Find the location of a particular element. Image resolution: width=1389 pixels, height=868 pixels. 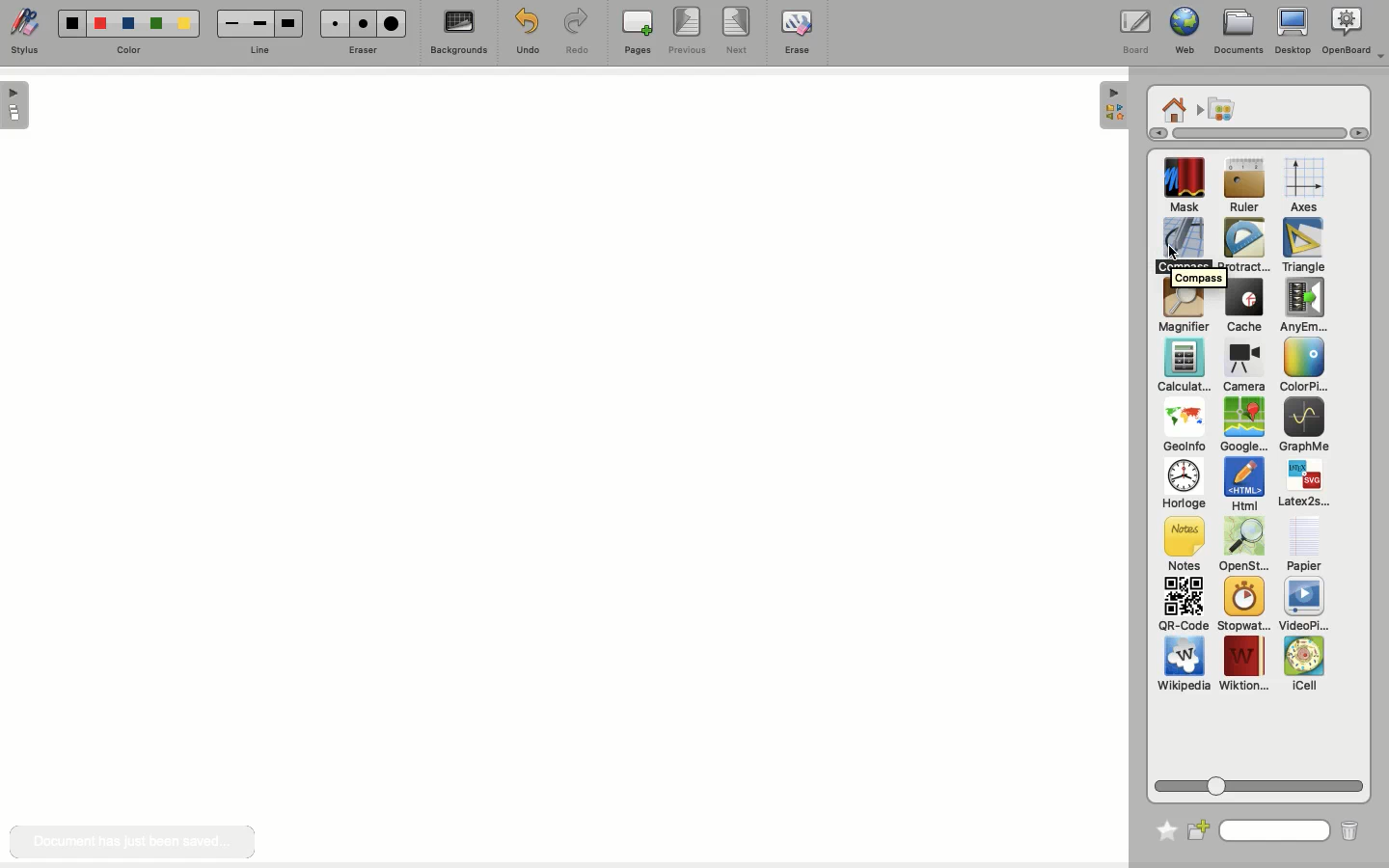

line2 is located at coordinates (259, 23).